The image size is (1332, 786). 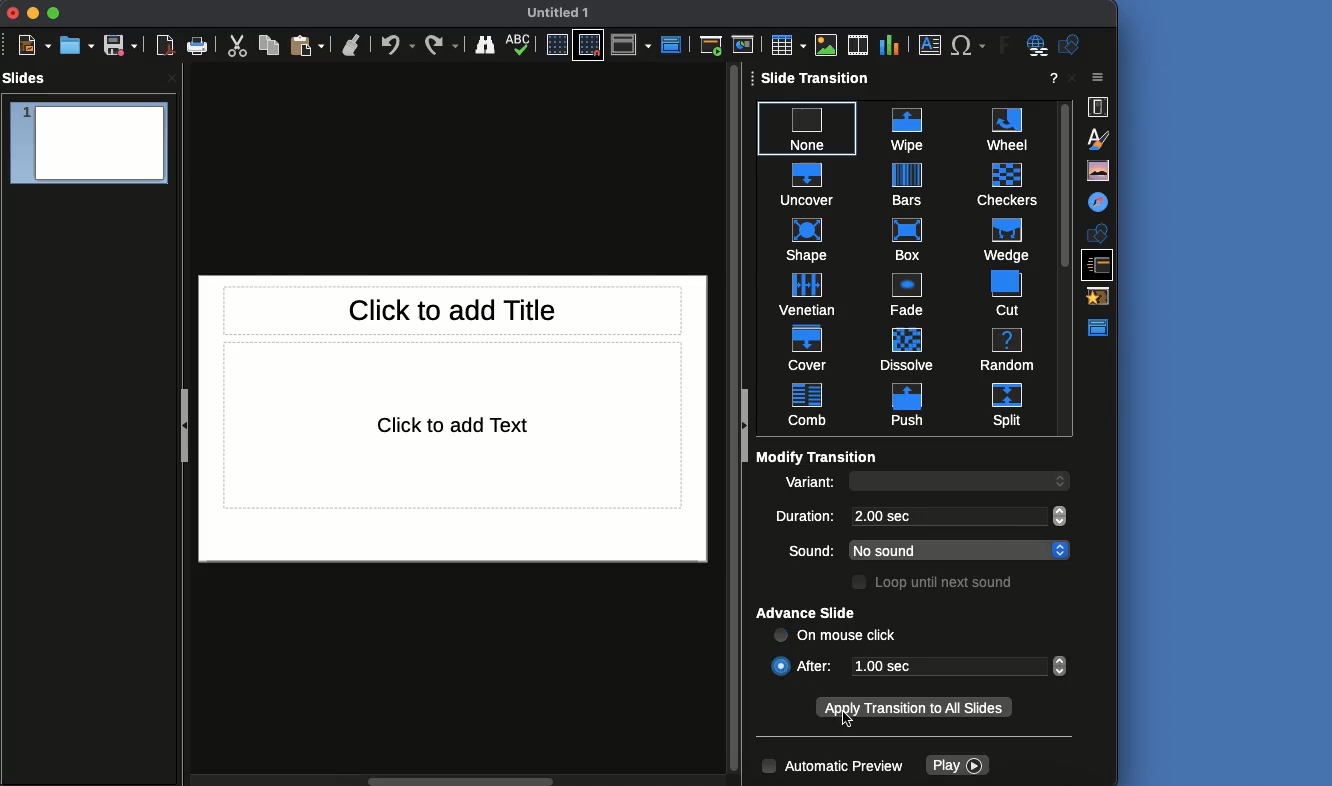 I want to click on Text, so click(x=454, y=426).